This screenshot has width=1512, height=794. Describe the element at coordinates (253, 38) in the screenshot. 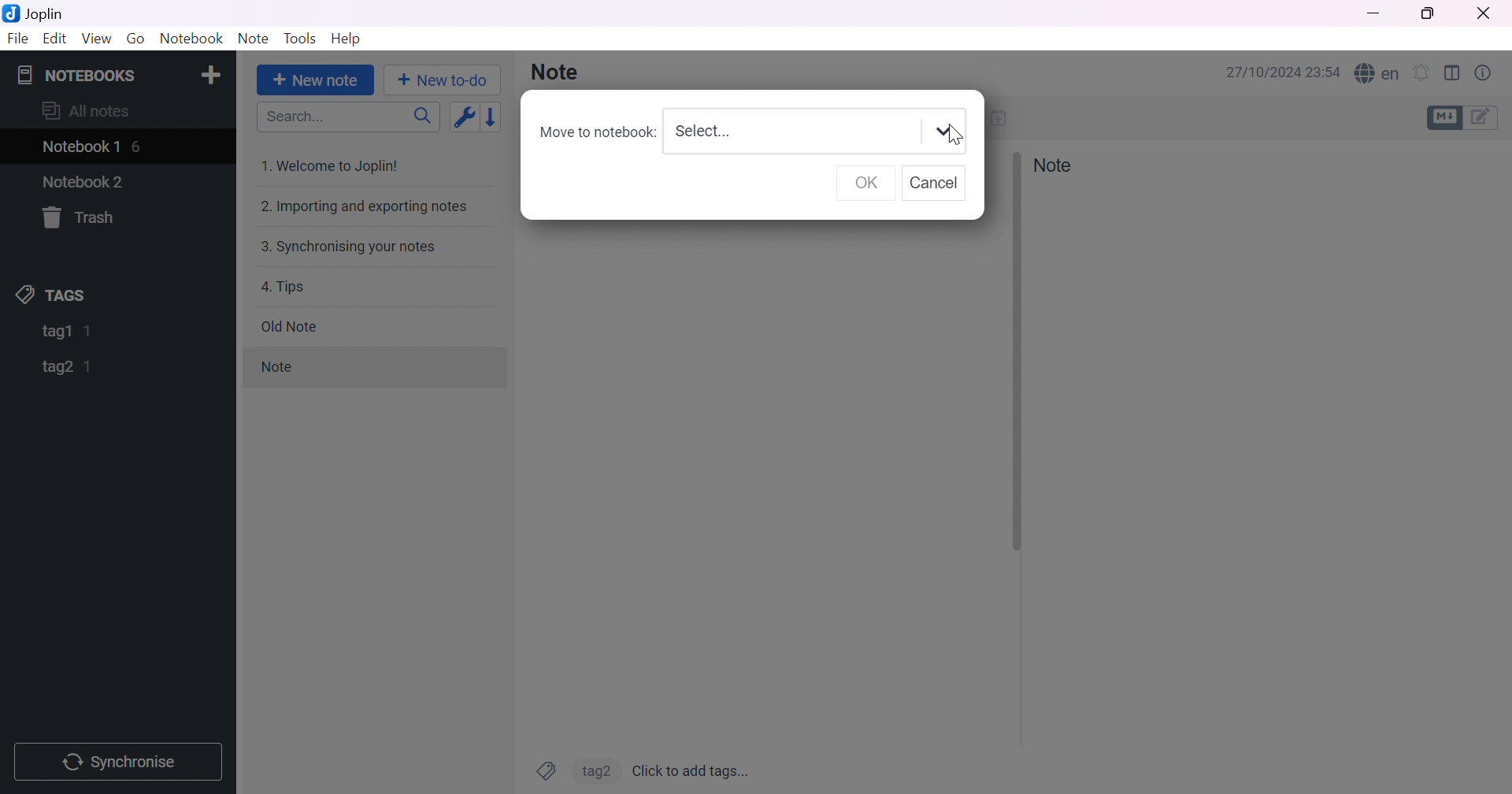

I see `Note` at that location.